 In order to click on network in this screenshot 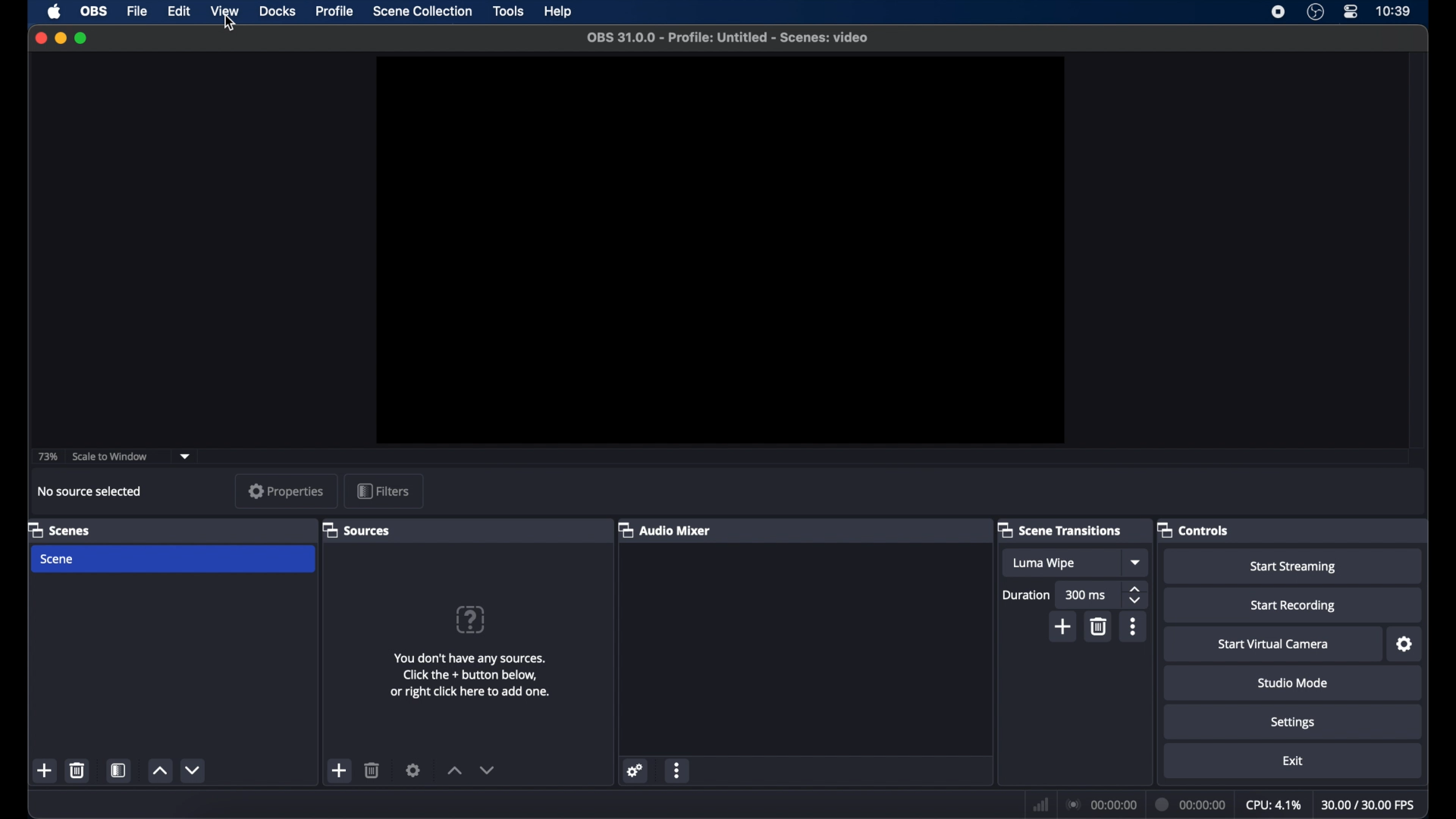, I will do `click(1040, 804)`.